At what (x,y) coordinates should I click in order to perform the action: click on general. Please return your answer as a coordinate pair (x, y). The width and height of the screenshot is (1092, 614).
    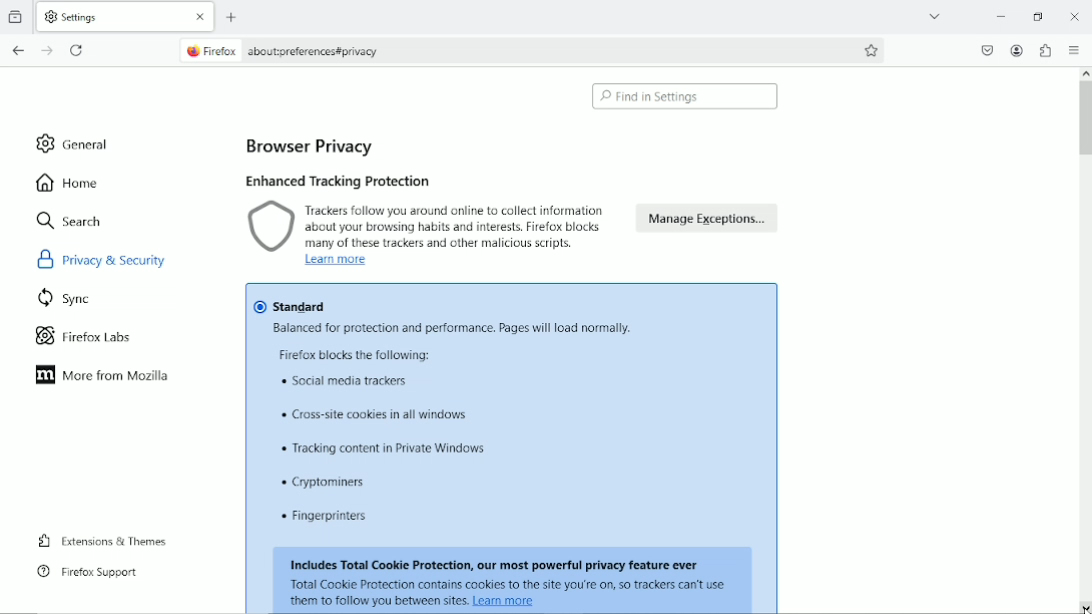
    Looking at the image, I should click on (68, 142).